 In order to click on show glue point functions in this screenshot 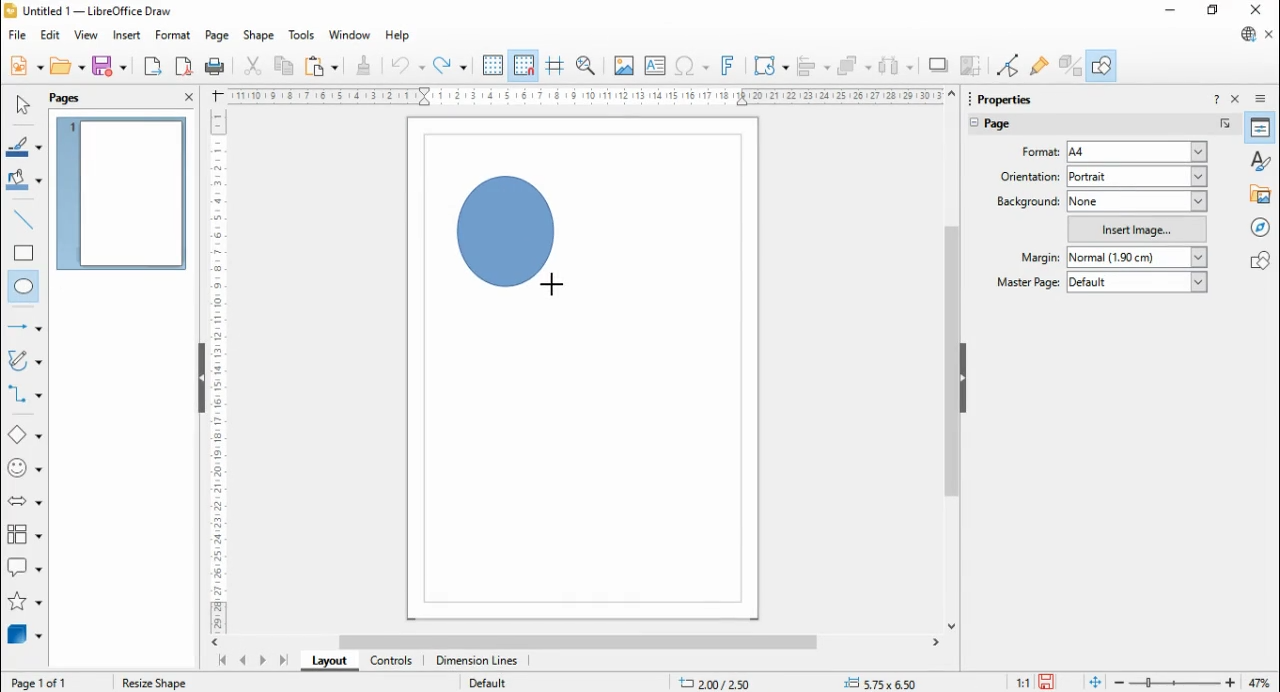, I will do `click(1041, 65)`.